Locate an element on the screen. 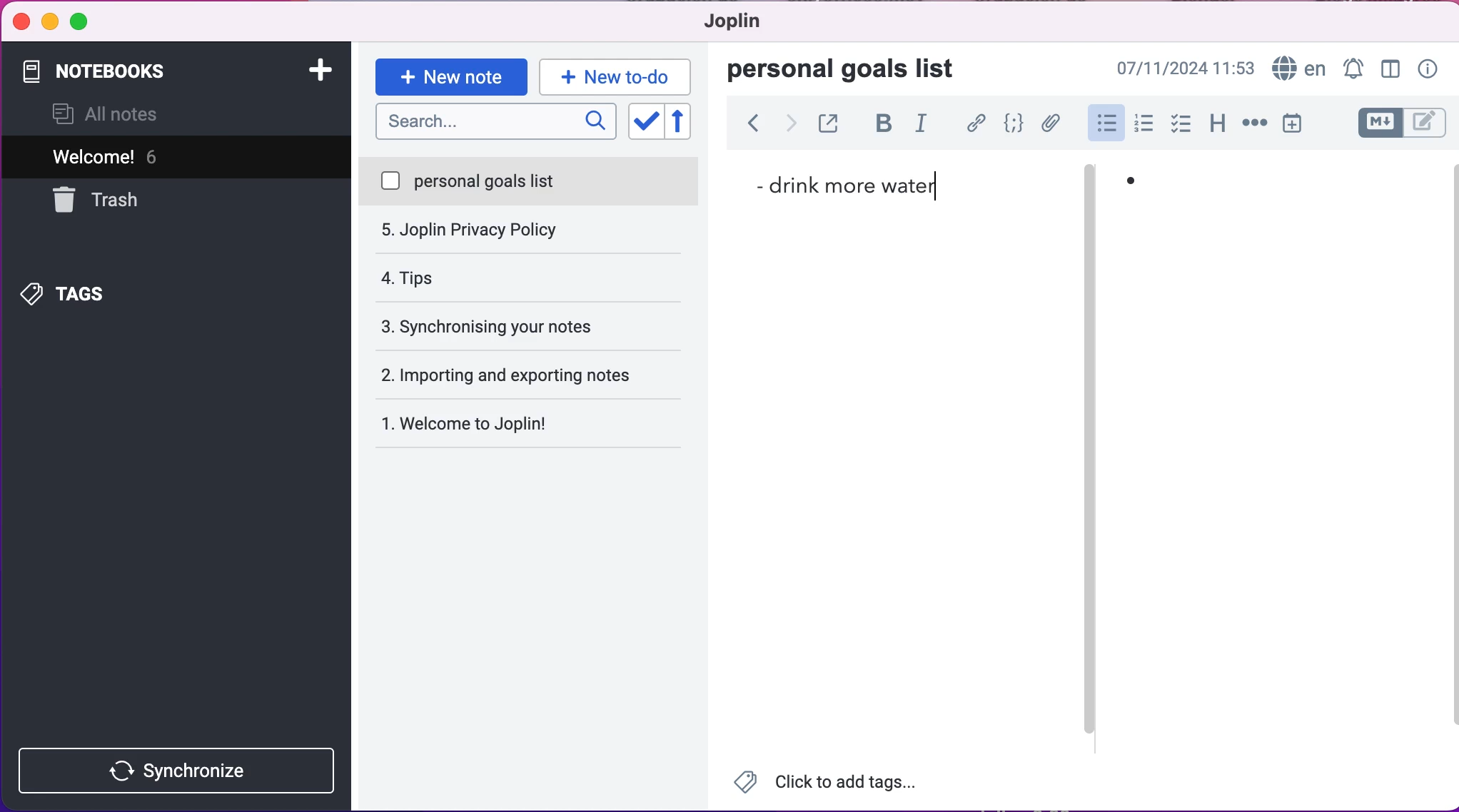 The height and width of the screenshot is (812, 1459). joplin is located at coordinates (748, 24).